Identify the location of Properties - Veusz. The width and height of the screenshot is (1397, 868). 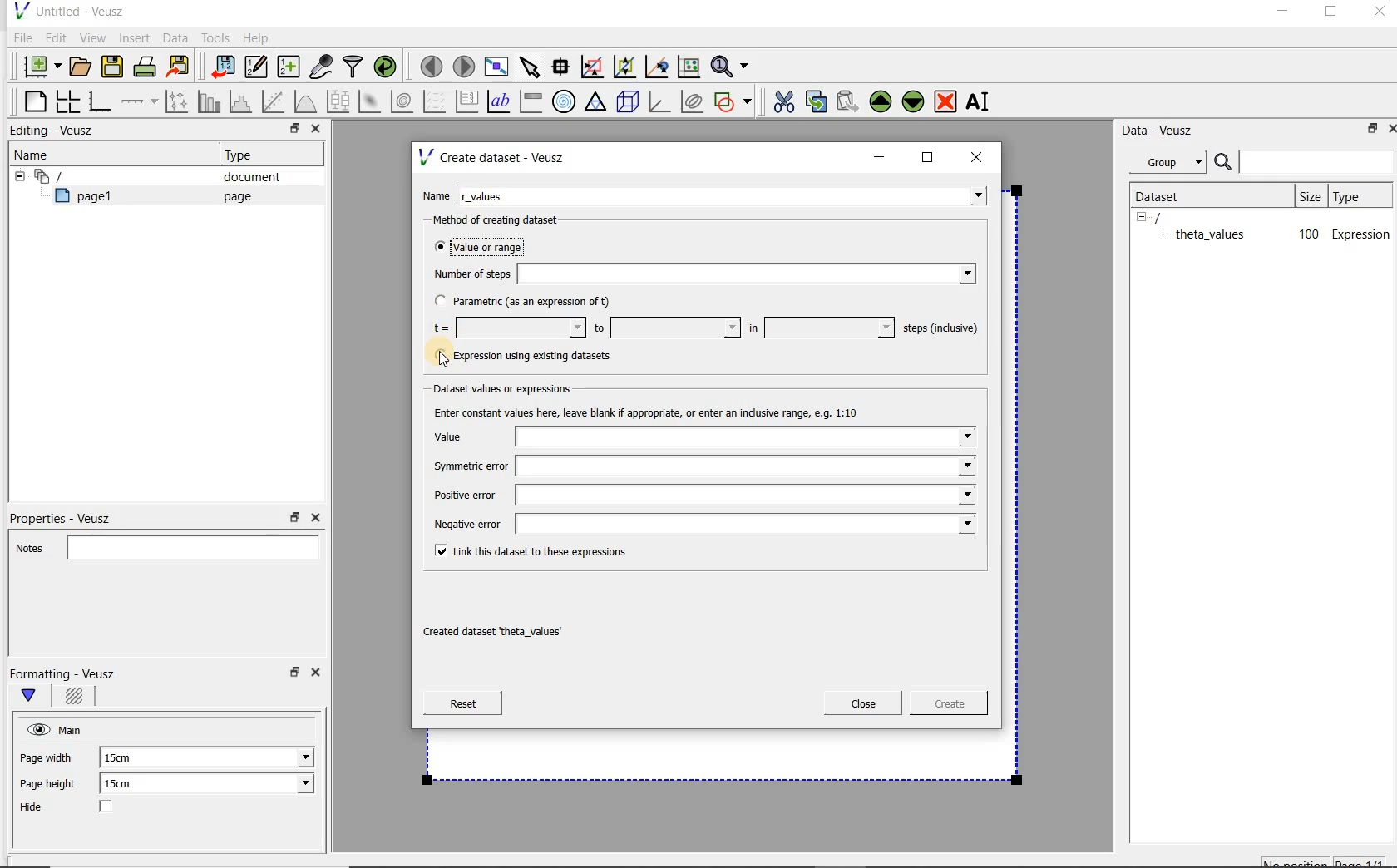
(69, 515).